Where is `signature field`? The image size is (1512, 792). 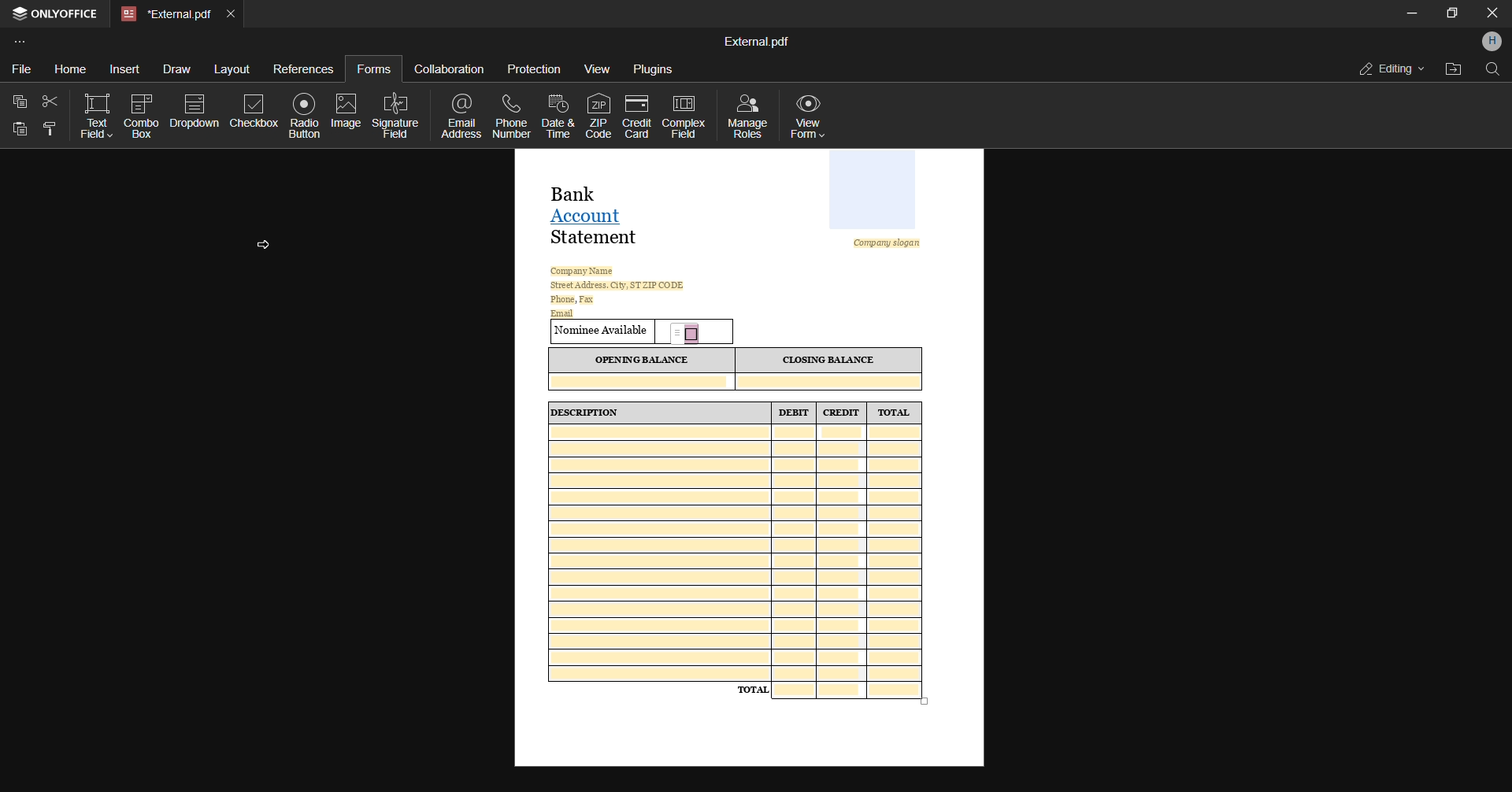
signature field is located at coordinates (397, 115).